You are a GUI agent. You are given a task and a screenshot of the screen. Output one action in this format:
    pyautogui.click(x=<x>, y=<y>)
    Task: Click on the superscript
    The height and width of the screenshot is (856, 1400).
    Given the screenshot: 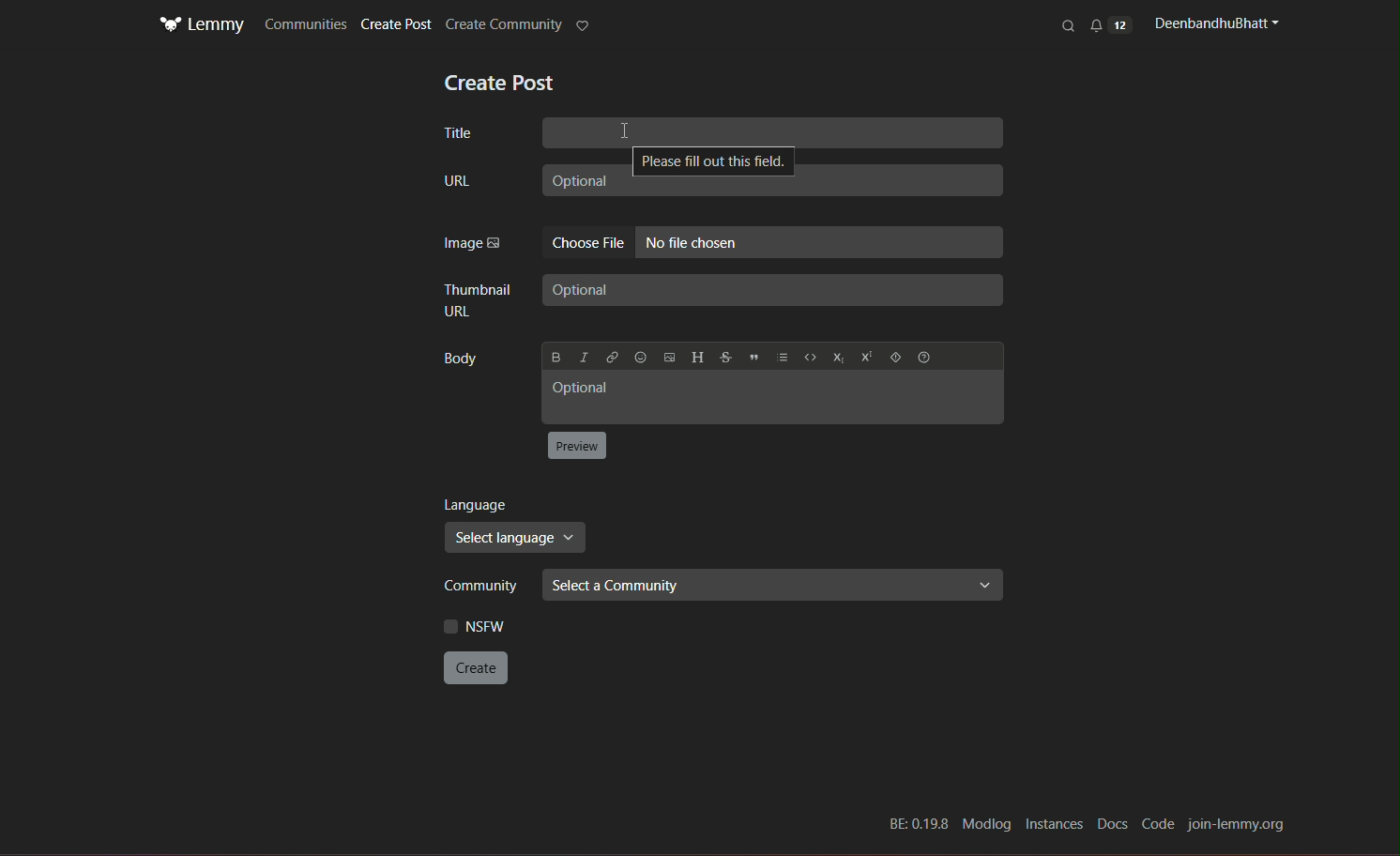 What is the action you would take?
    pyautogui.click(x=865, y=357)
    